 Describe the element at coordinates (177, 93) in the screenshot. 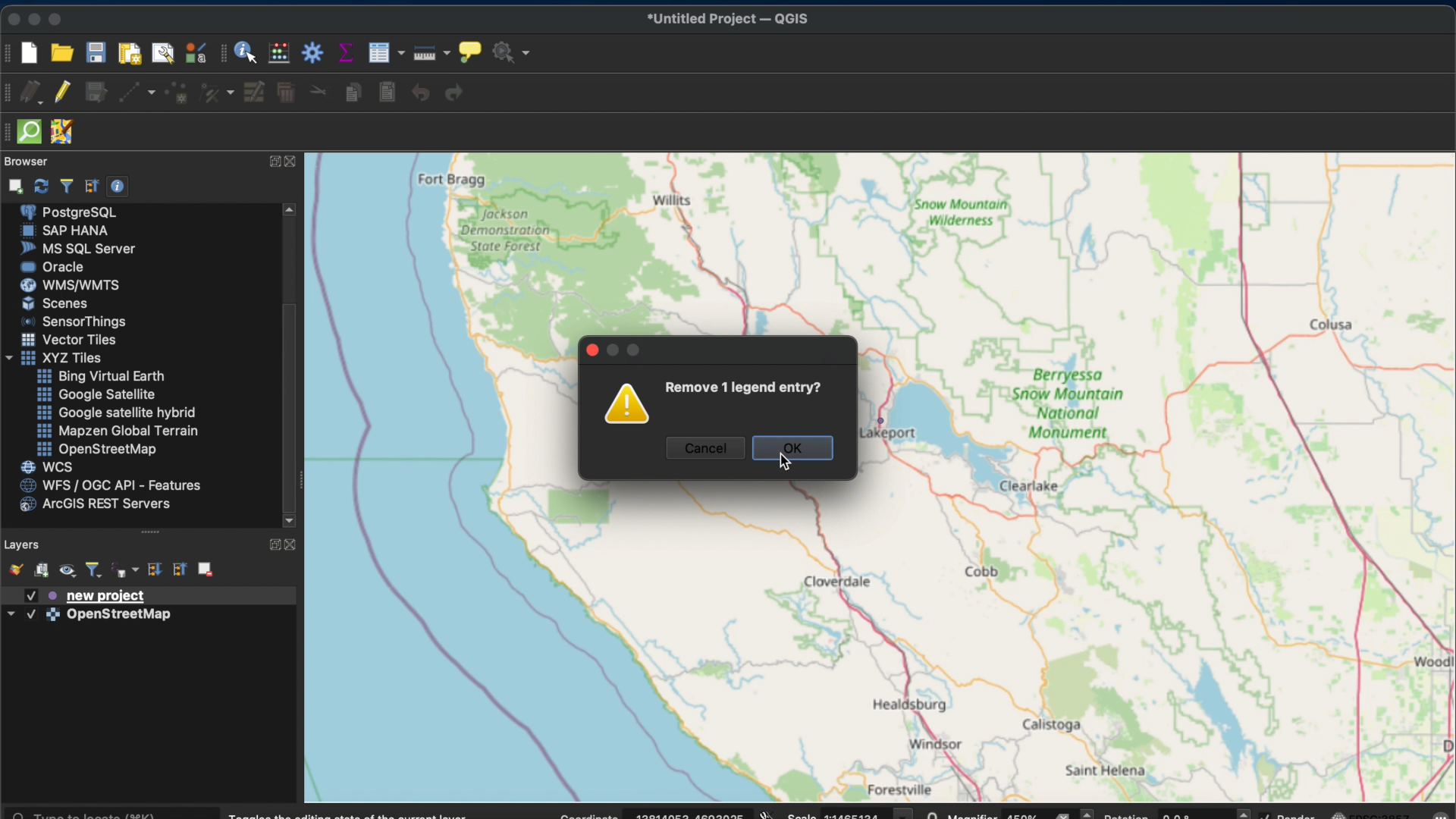

I see `add point feature` at that location.